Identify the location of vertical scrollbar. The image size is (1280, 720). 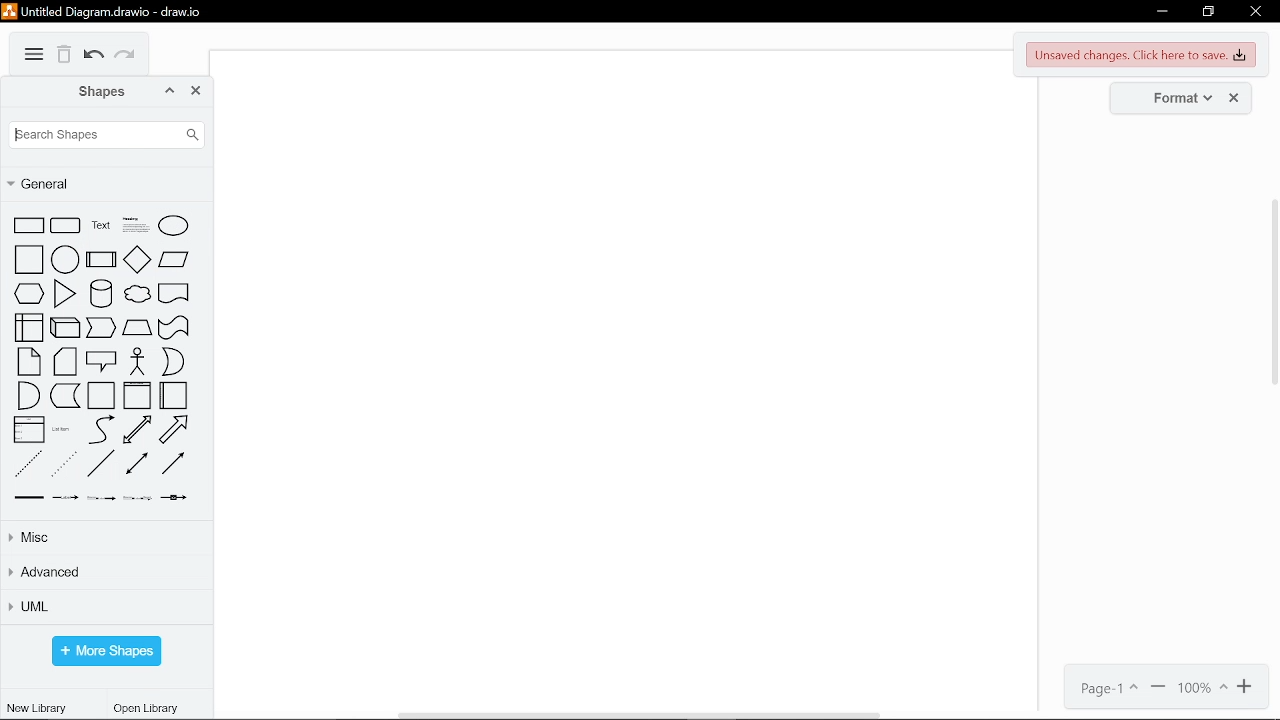
(1272, 291).